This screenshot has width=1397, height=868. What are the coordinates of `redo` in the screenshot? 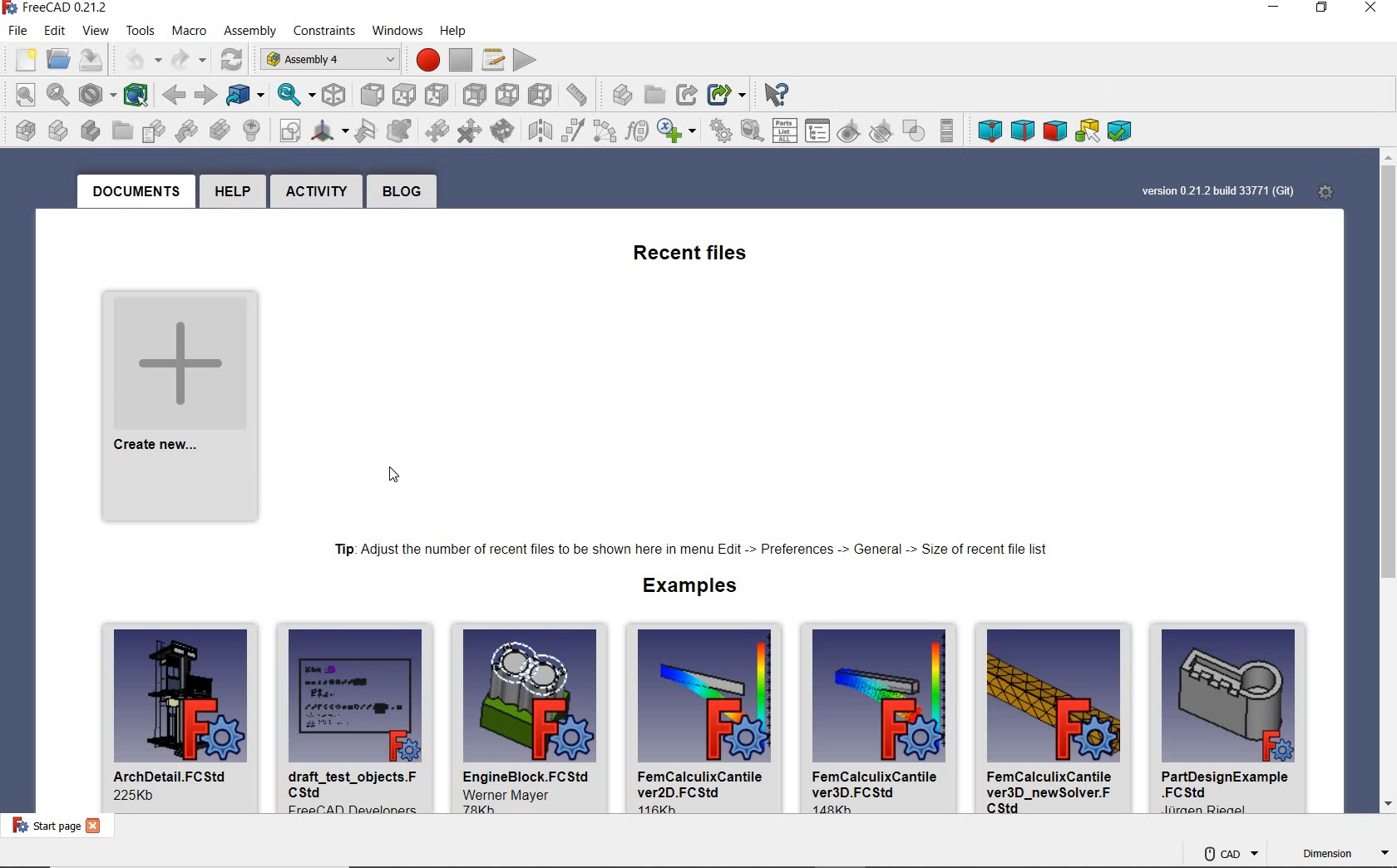 It's located at (187, 60).